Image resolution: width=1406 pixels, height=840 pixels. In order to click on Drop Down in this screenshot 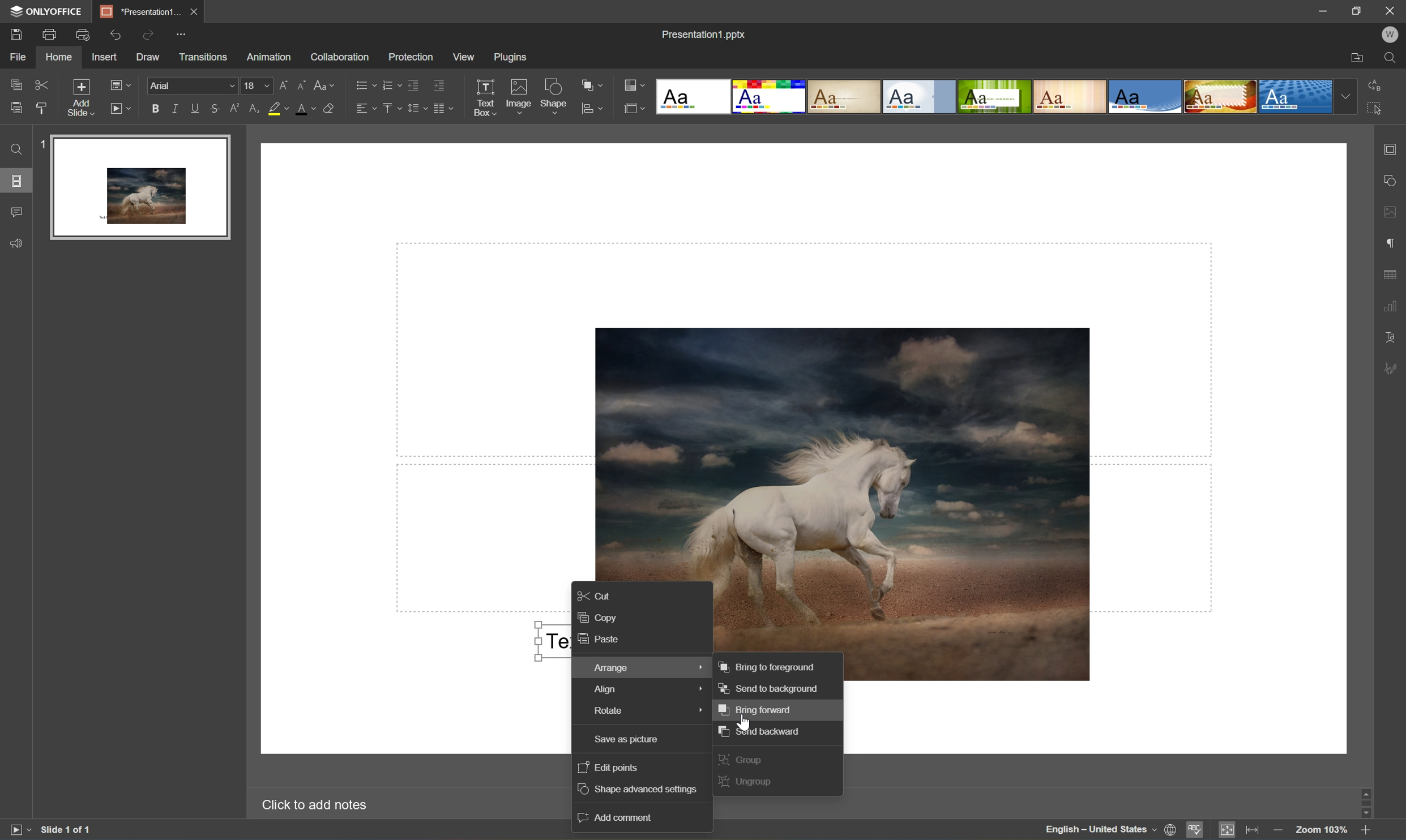, I will do `click(1348, 96)`.